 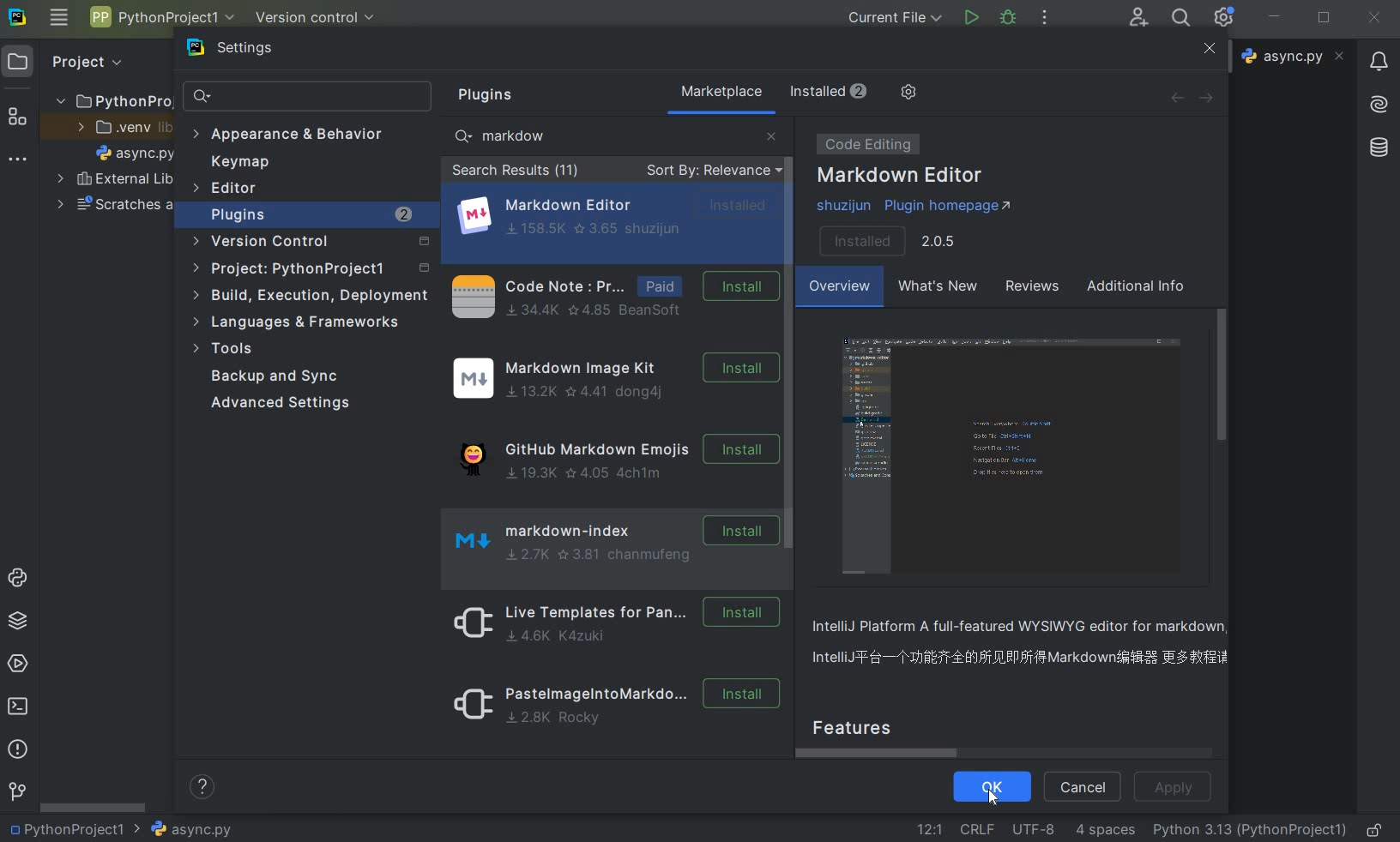 What do you see at coordinates (970, 17) in the screenshot?
I see `run` at bounding box center [970, 17].